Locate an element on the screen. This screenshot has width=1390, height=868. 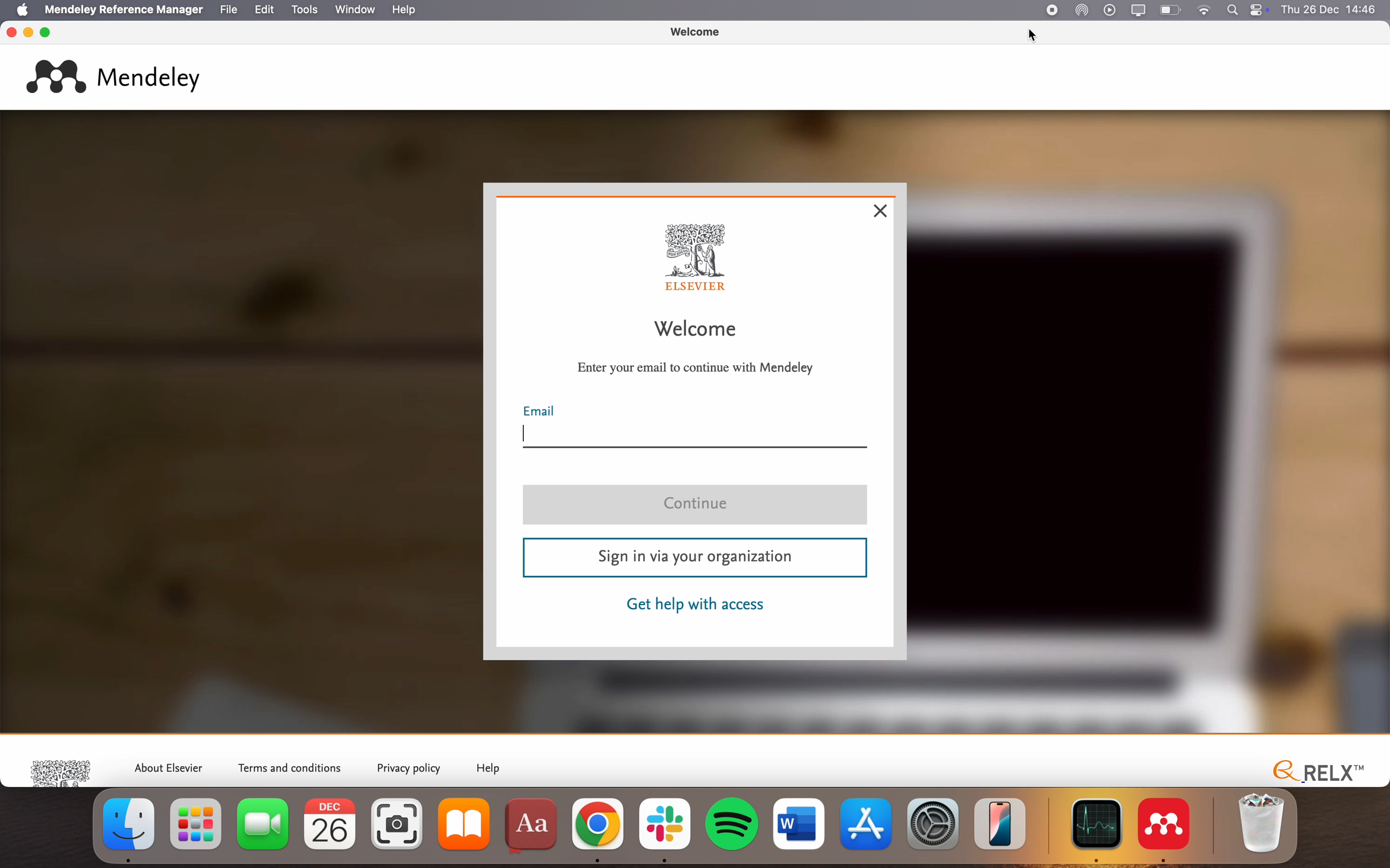
welcome is located at coordinates (700, 330).